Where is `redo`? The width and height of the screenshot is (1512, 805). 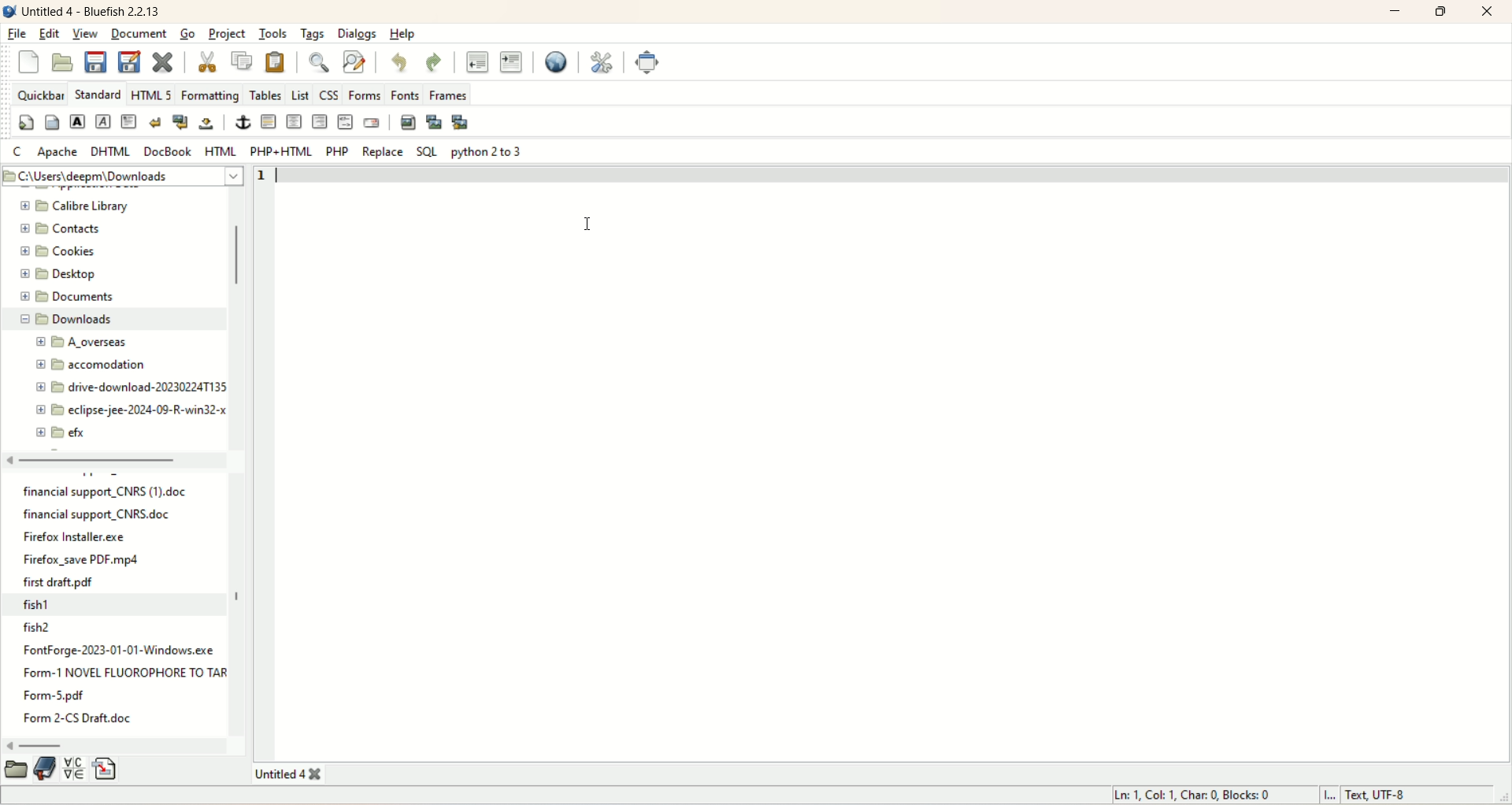 redo is located at coordinates (435, 61).